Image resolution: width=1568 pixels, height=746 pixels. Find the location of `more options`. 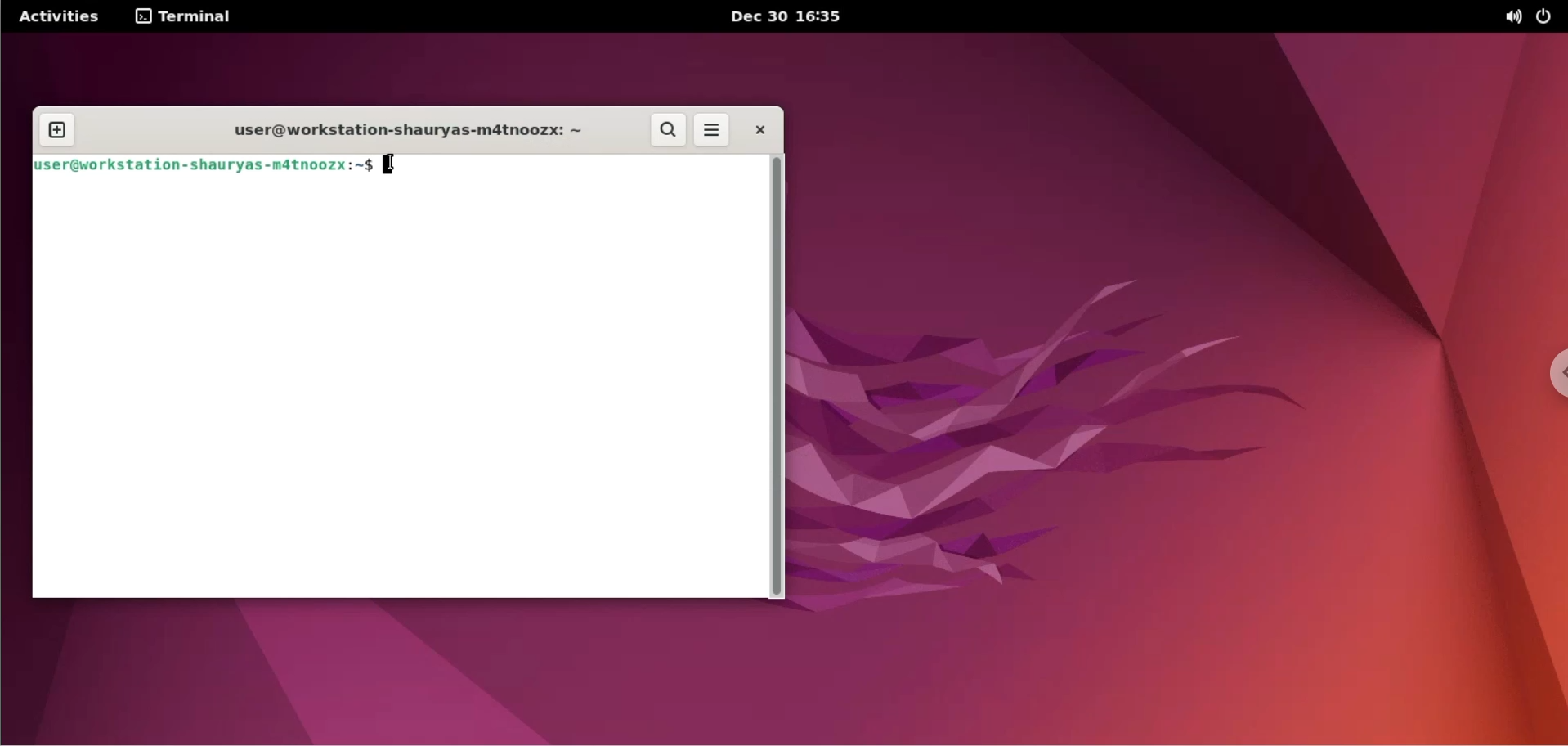

more options is located at coordinates (713, 129).